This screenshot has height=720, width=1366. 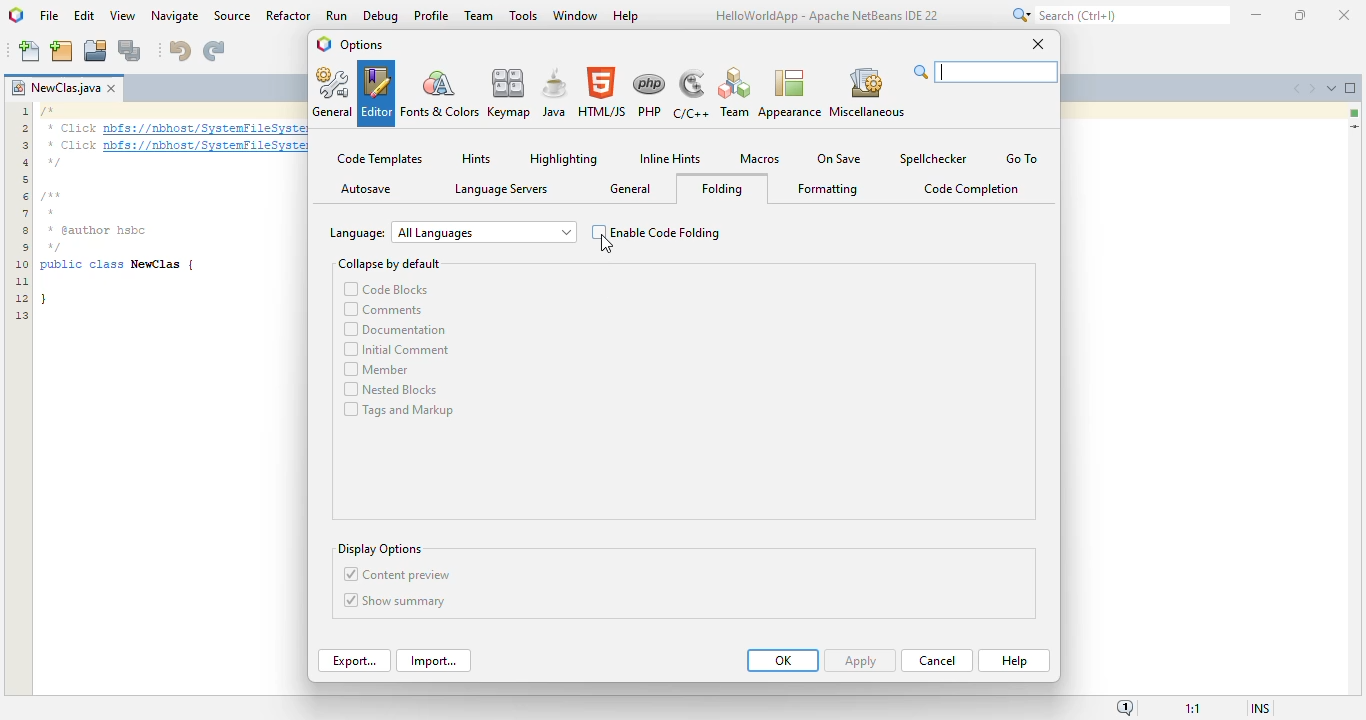 I want to click on source, so click(x=233, y=16).